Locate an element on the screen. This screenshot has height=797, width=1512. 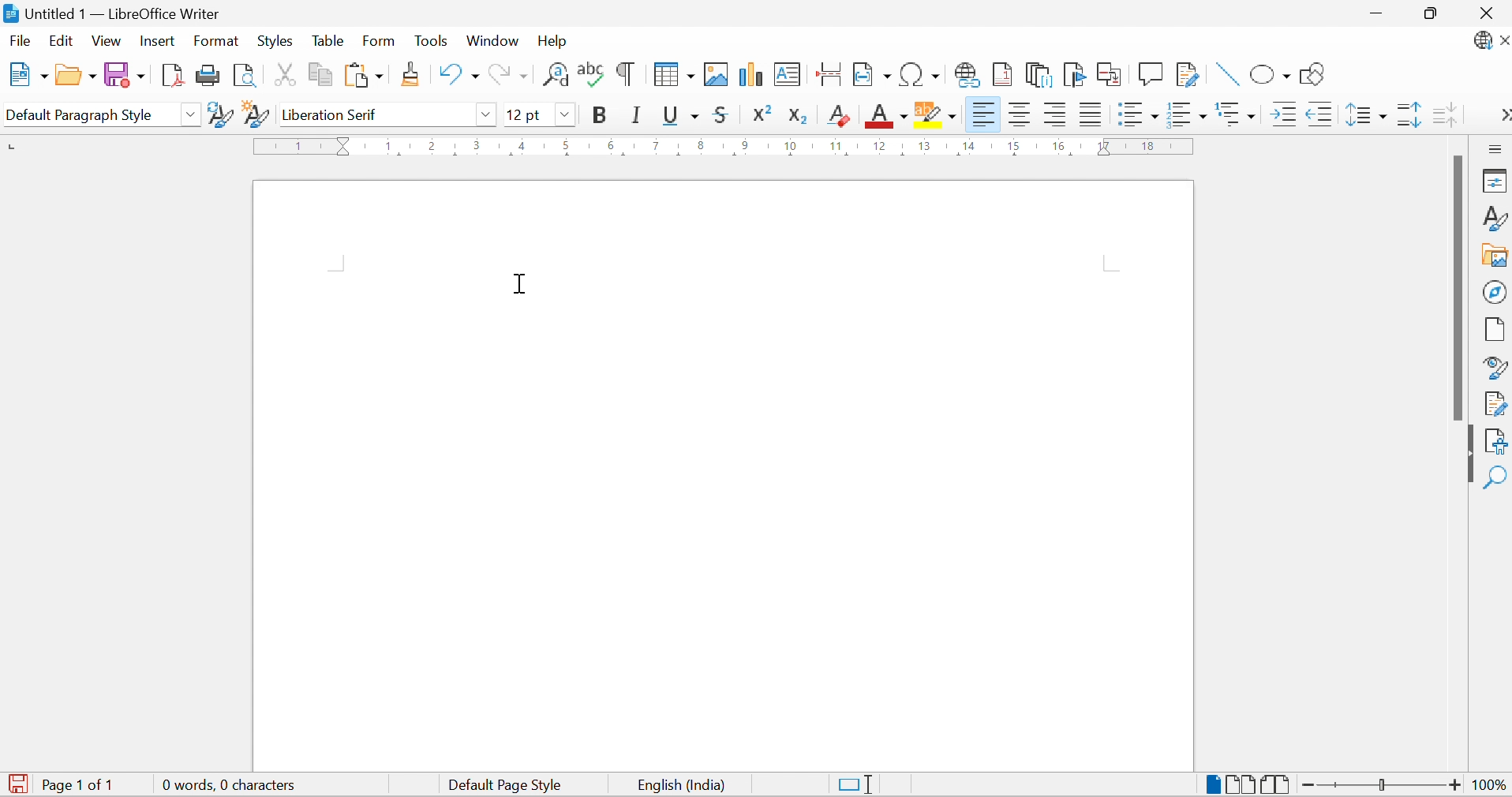
Default Page Style is located at coordinates (507, 785).